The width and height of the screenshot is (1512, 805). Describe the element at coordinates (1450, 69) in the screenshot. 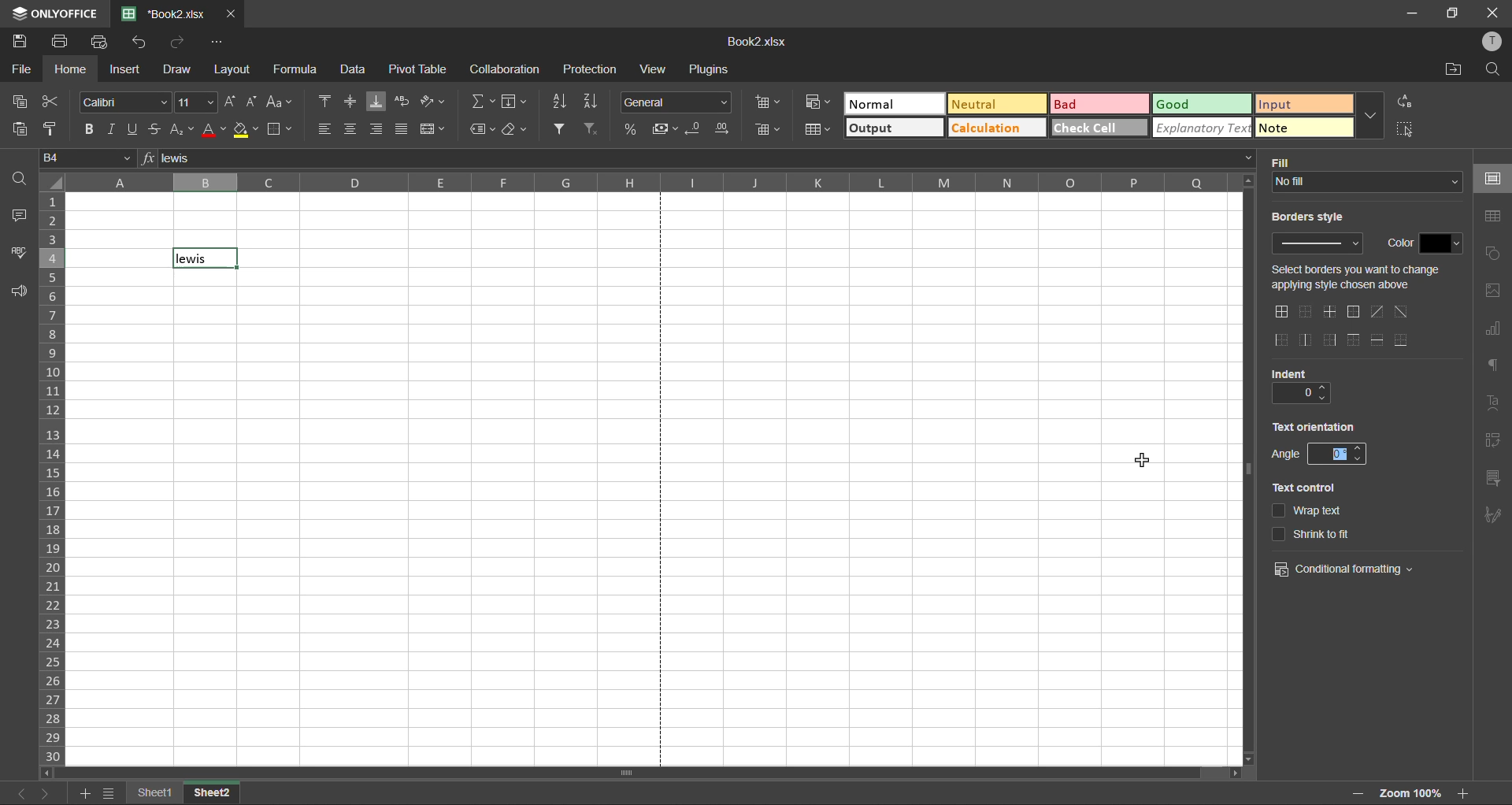

I see `open location` at that location.